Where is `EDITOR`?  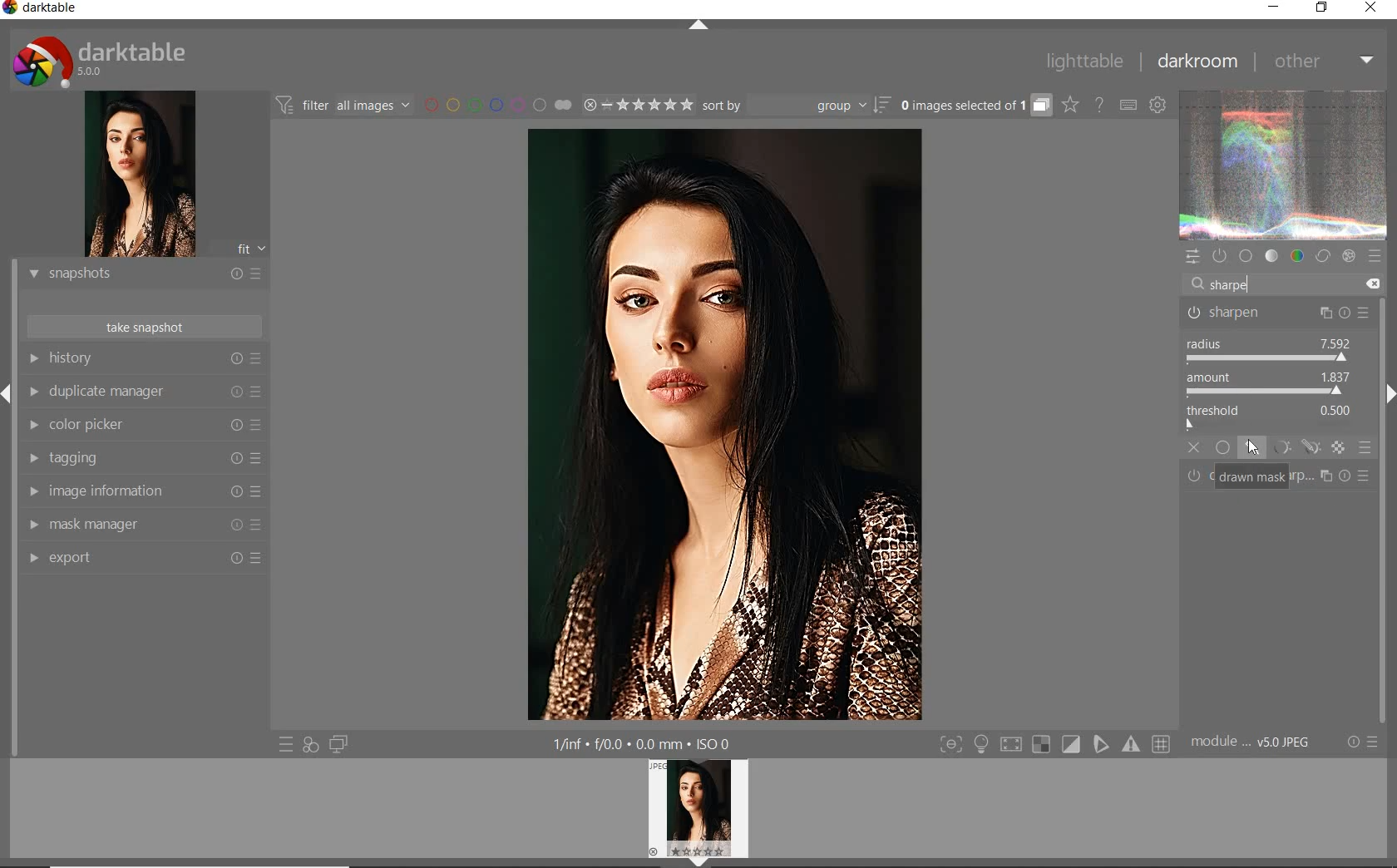 EDITOR is located at coordinates (1209, 288).